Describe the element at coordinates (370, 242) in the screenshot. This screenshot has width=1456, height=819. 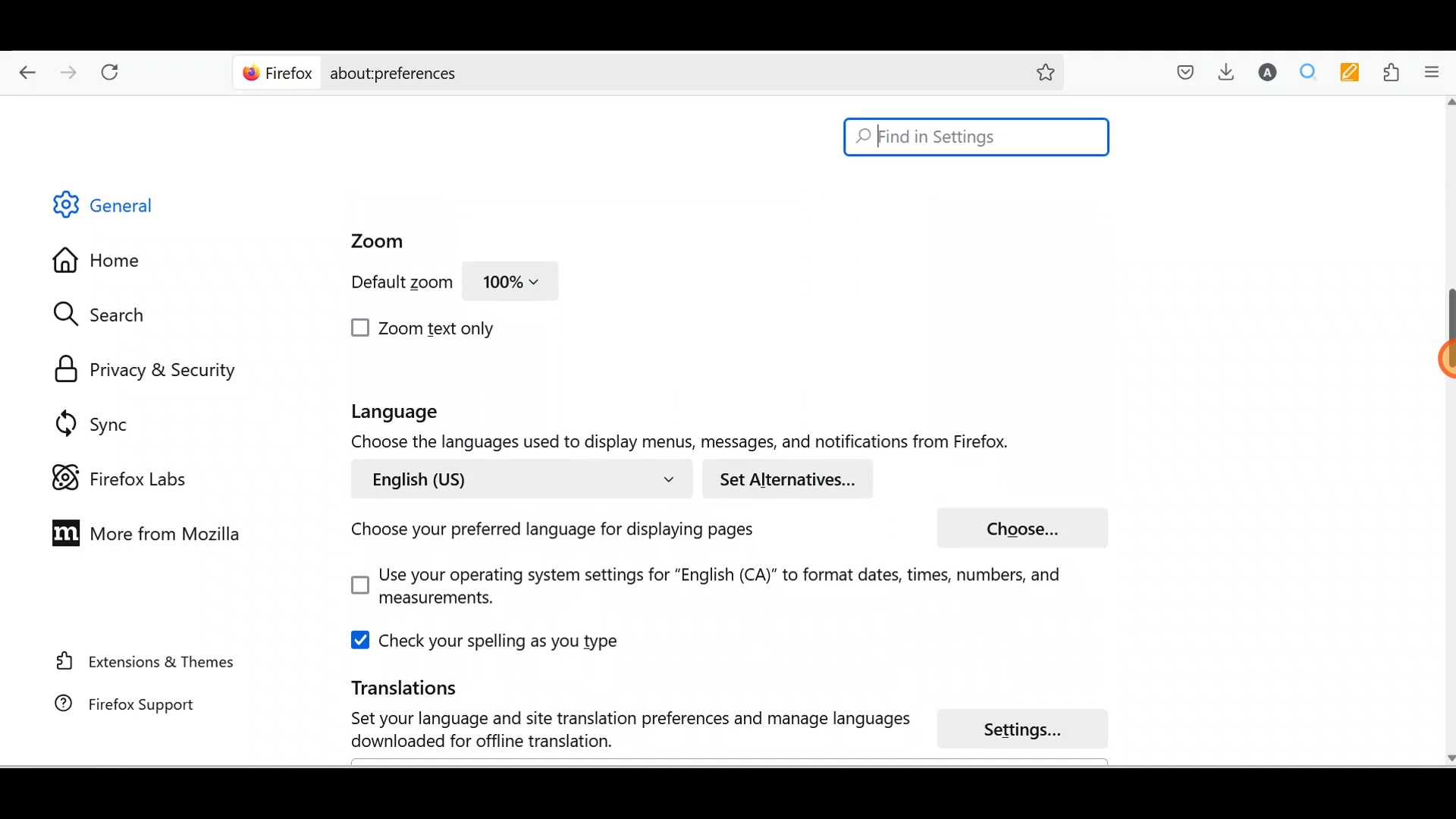
I see `Zoom` at that location.